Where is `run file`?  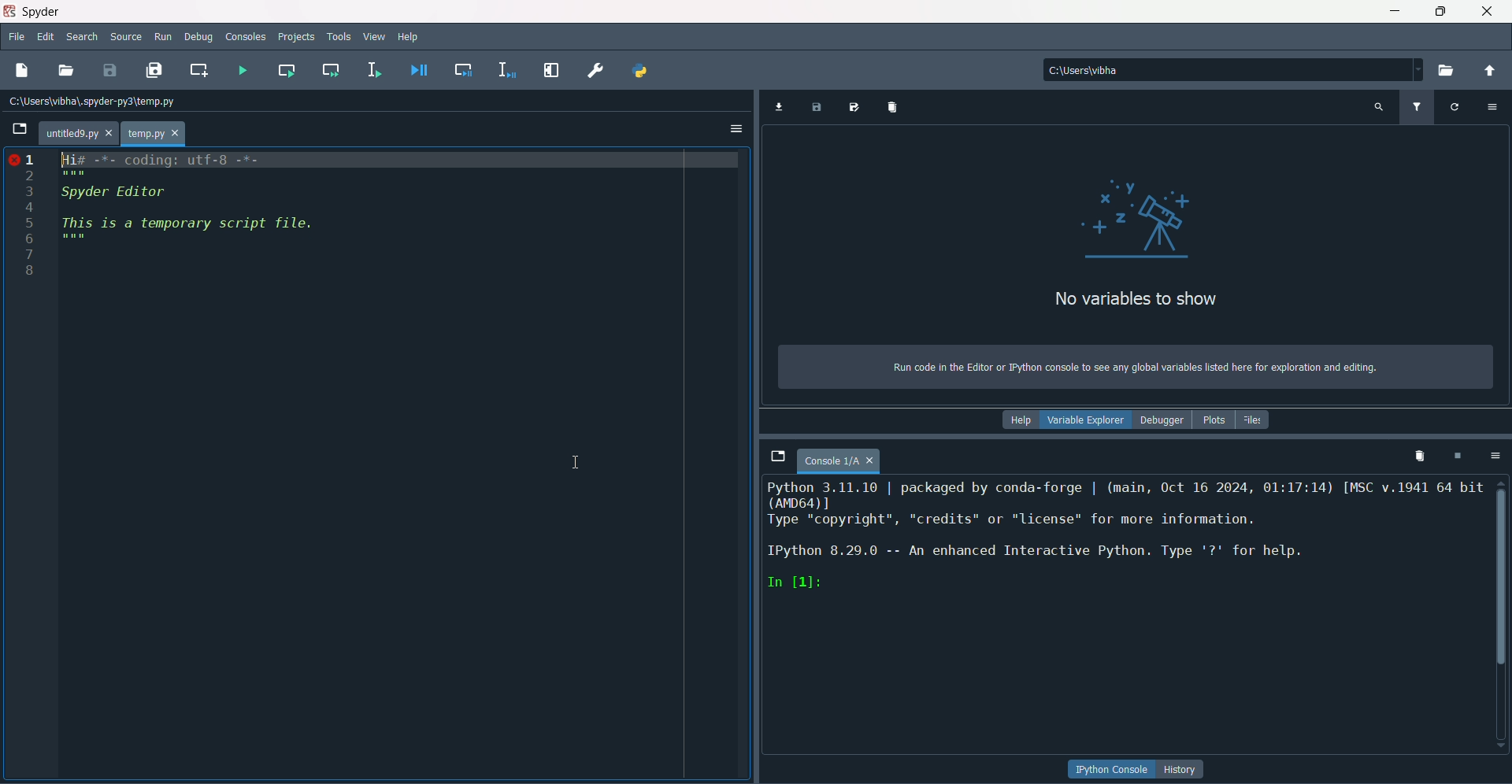 run file is located at coordinates (243, 69).